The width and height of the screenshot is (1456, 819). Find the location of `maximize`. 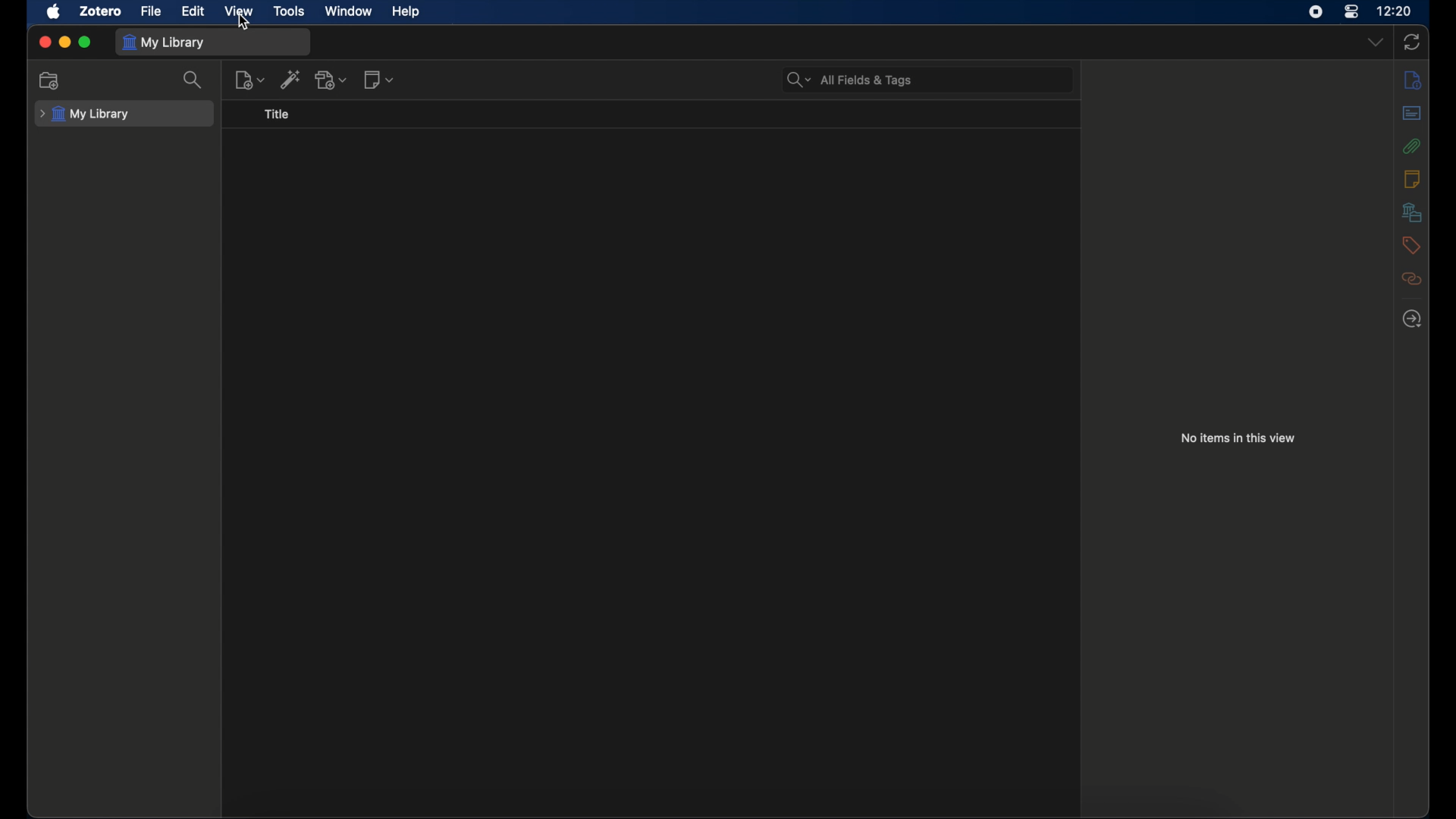

maximize is located at coordinates (86, 42).